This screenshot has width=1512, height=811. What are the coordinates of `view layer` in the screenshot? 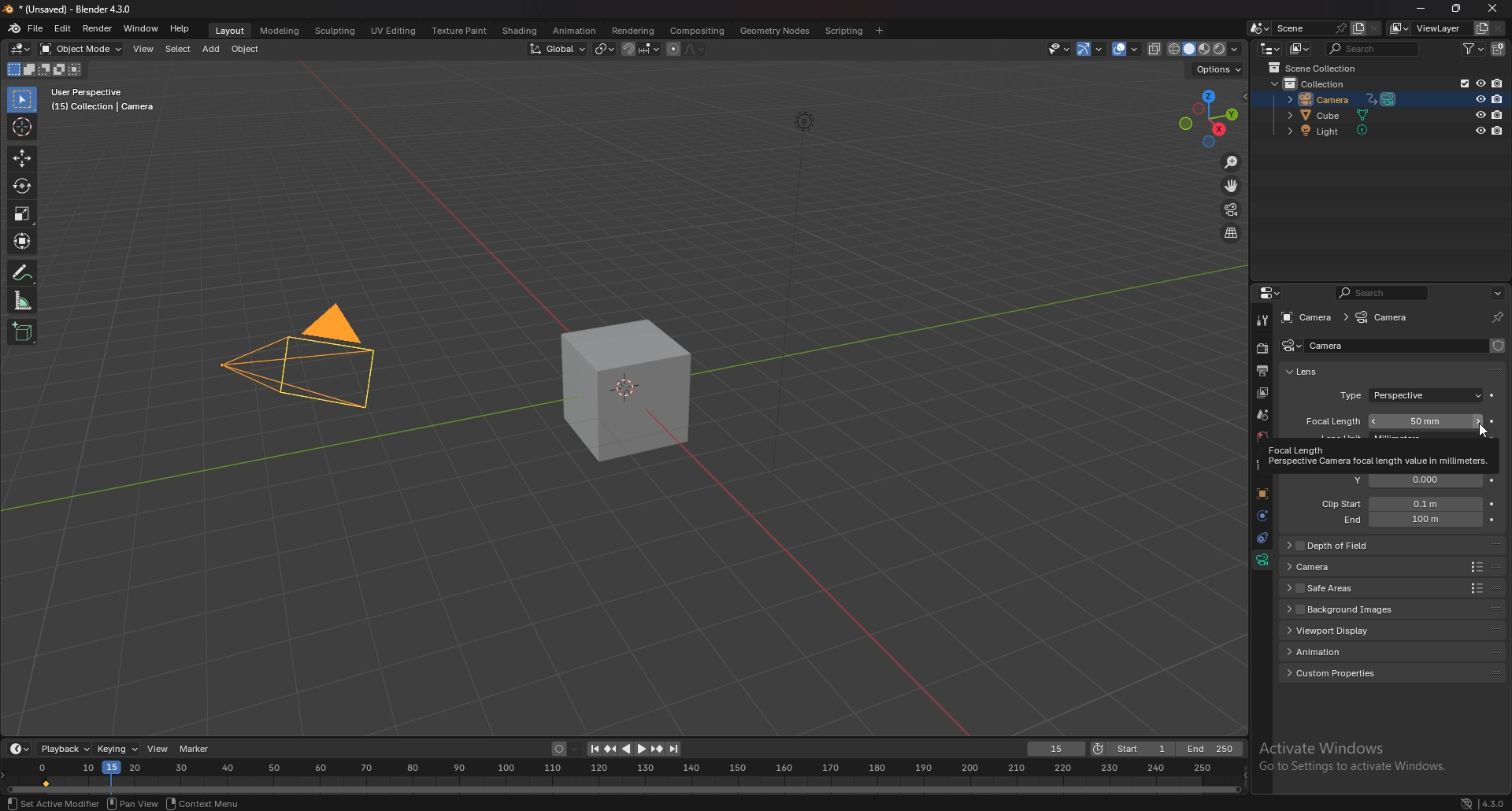 It's located at (1430, 28).